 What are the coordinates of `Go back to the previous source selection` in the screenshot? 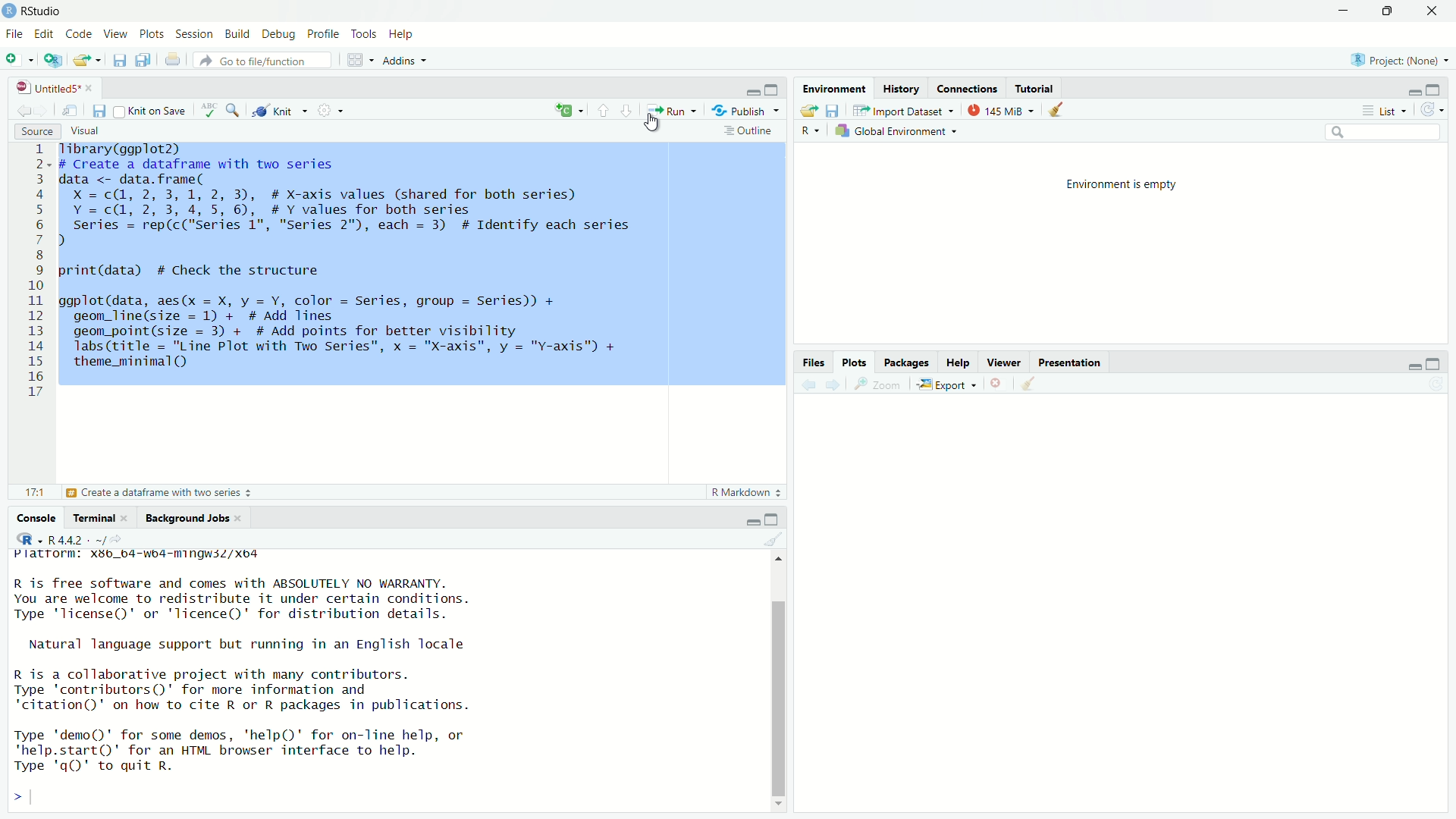 It's located at (1028, 384).